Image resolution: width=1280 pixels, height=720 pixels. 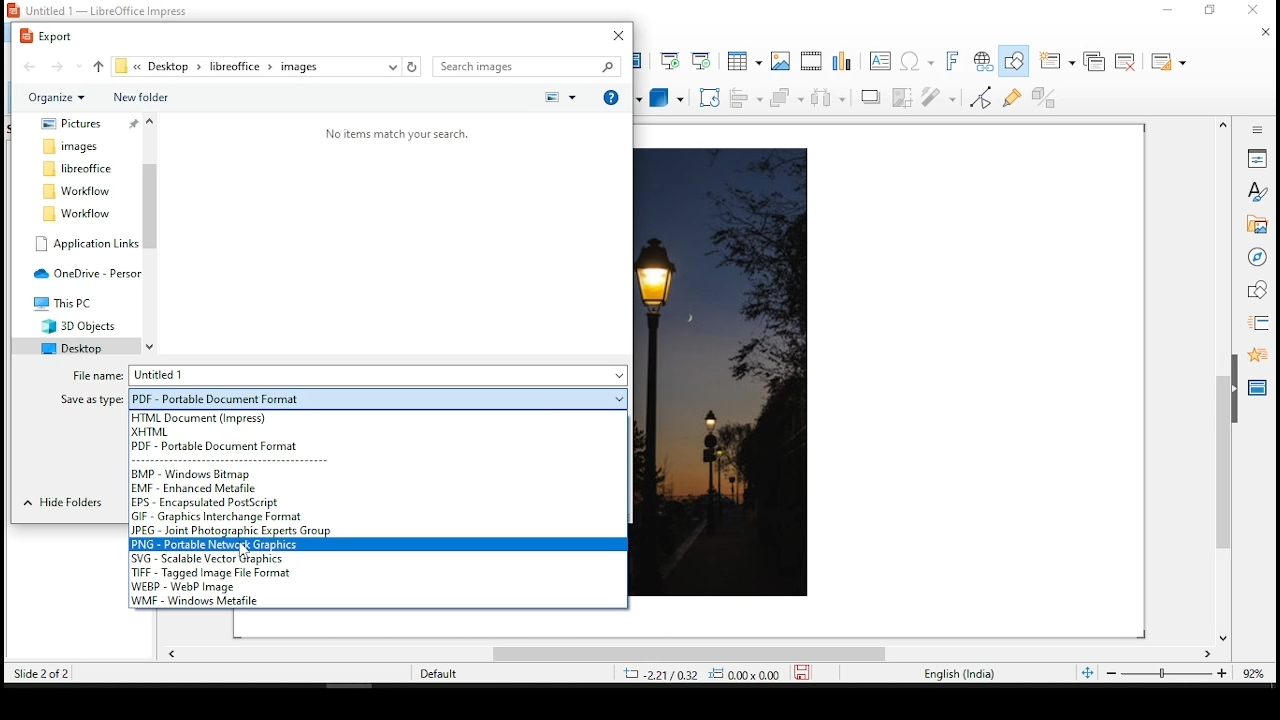 What do you see at coordinates (1050, 96) in the screenshot?
I see `toggle extrusiuon` at bounding box center [1050, 96].